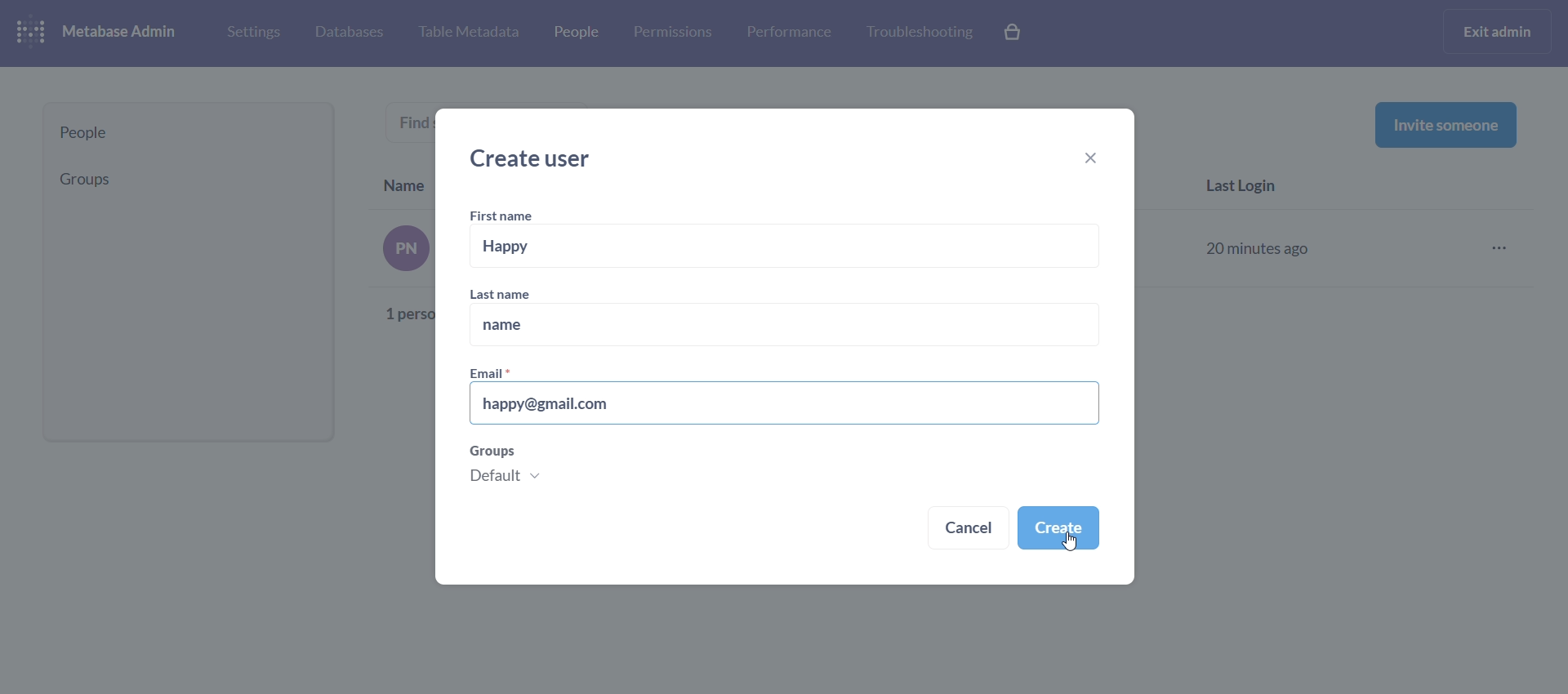  Describe the element at coordinates (1261, 246) in the screenshot. I see `20 minutes ago` at that location.